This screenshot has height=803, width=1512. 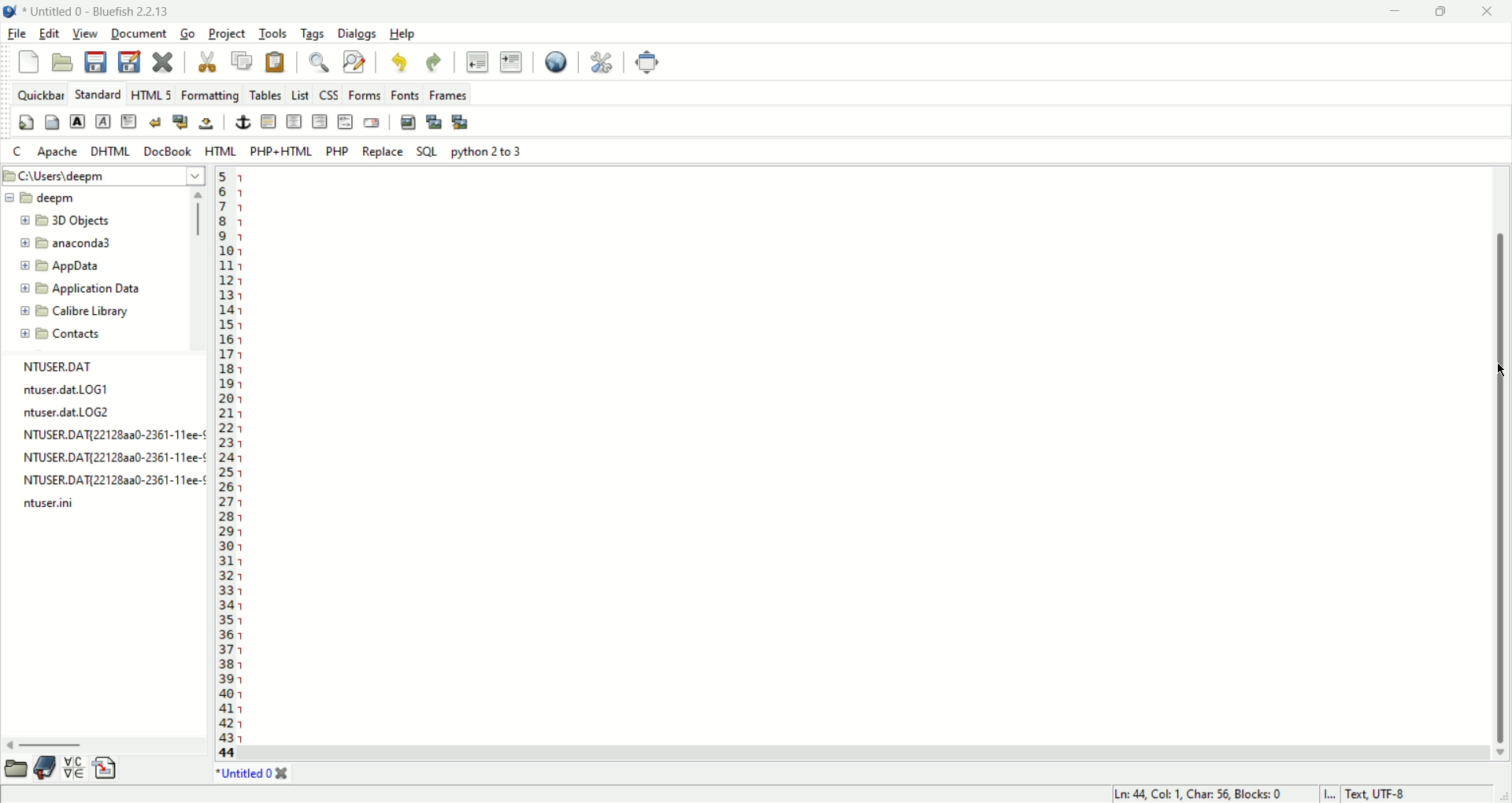 I want to click on find, so click(x=316, y=64).